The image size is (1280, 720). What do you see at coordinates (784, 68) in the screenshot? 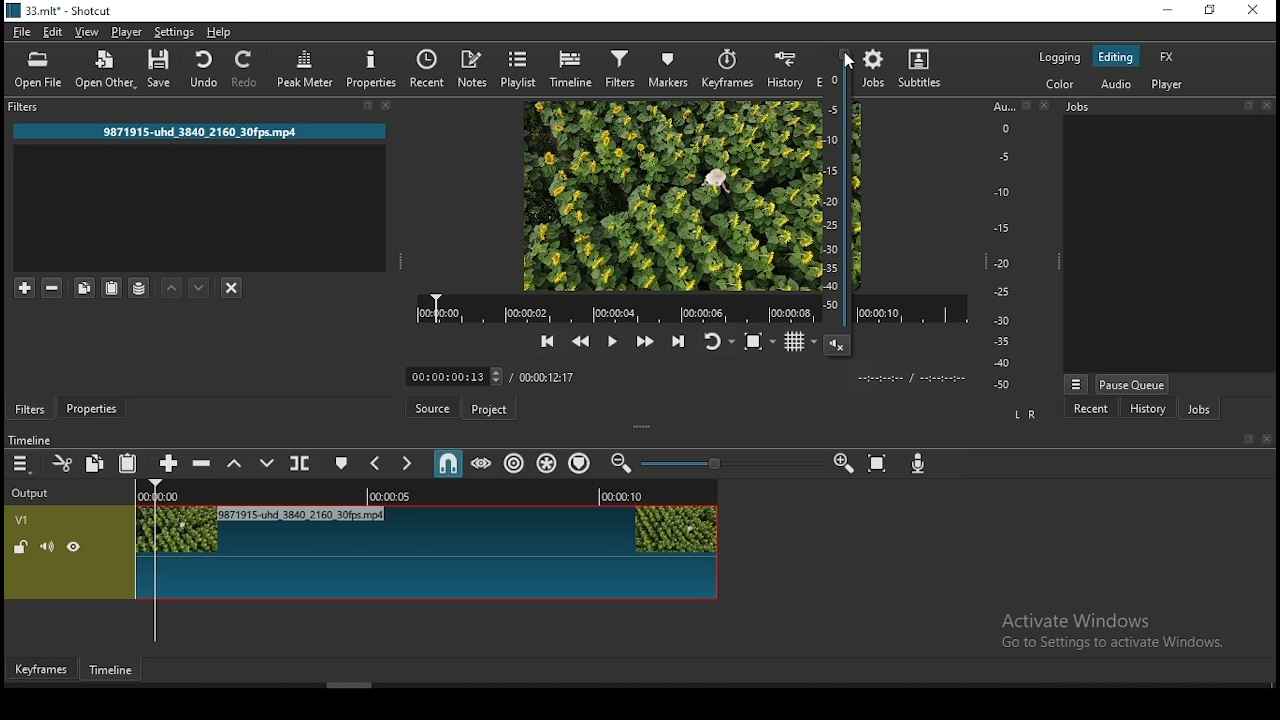
I see `history` at bounding box center [784, 68].